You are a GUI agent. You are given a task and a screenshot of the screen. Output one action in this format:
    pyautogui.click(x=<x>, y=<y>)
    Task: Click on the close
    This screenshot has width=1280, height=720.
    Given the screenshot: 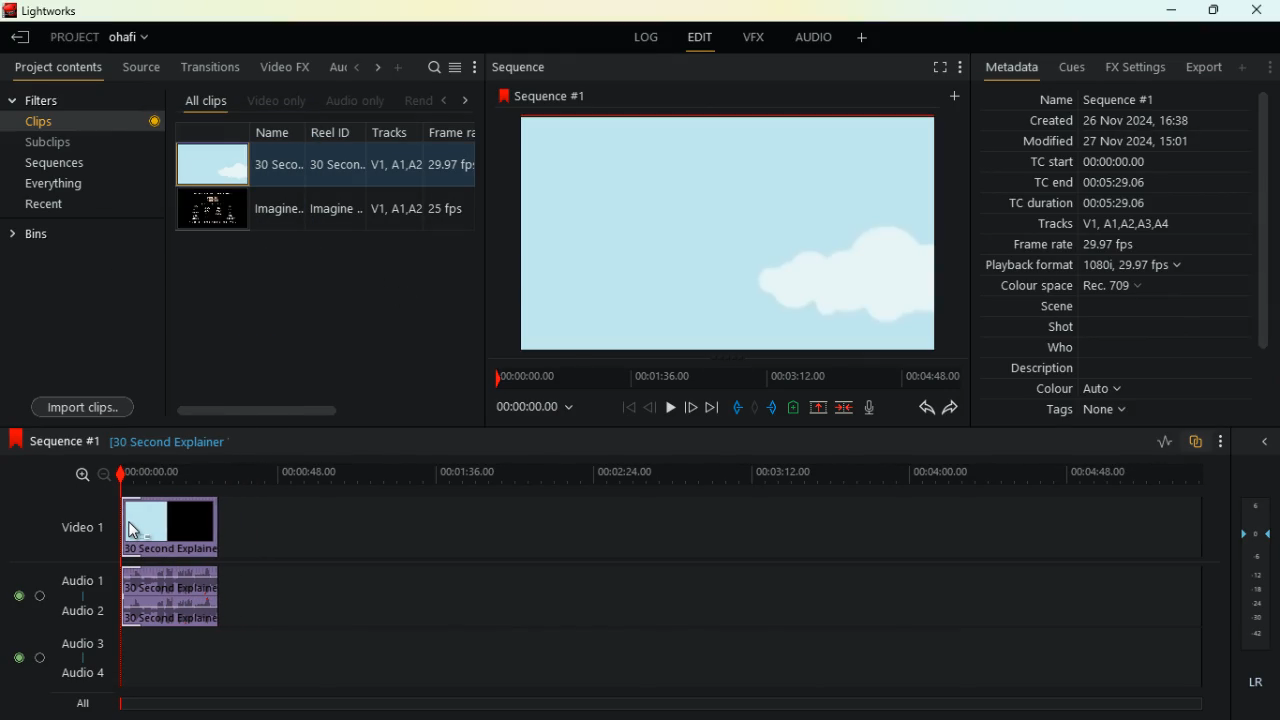 What is the action you would take?
    pyautogui.click(x=1260, y=10)
    